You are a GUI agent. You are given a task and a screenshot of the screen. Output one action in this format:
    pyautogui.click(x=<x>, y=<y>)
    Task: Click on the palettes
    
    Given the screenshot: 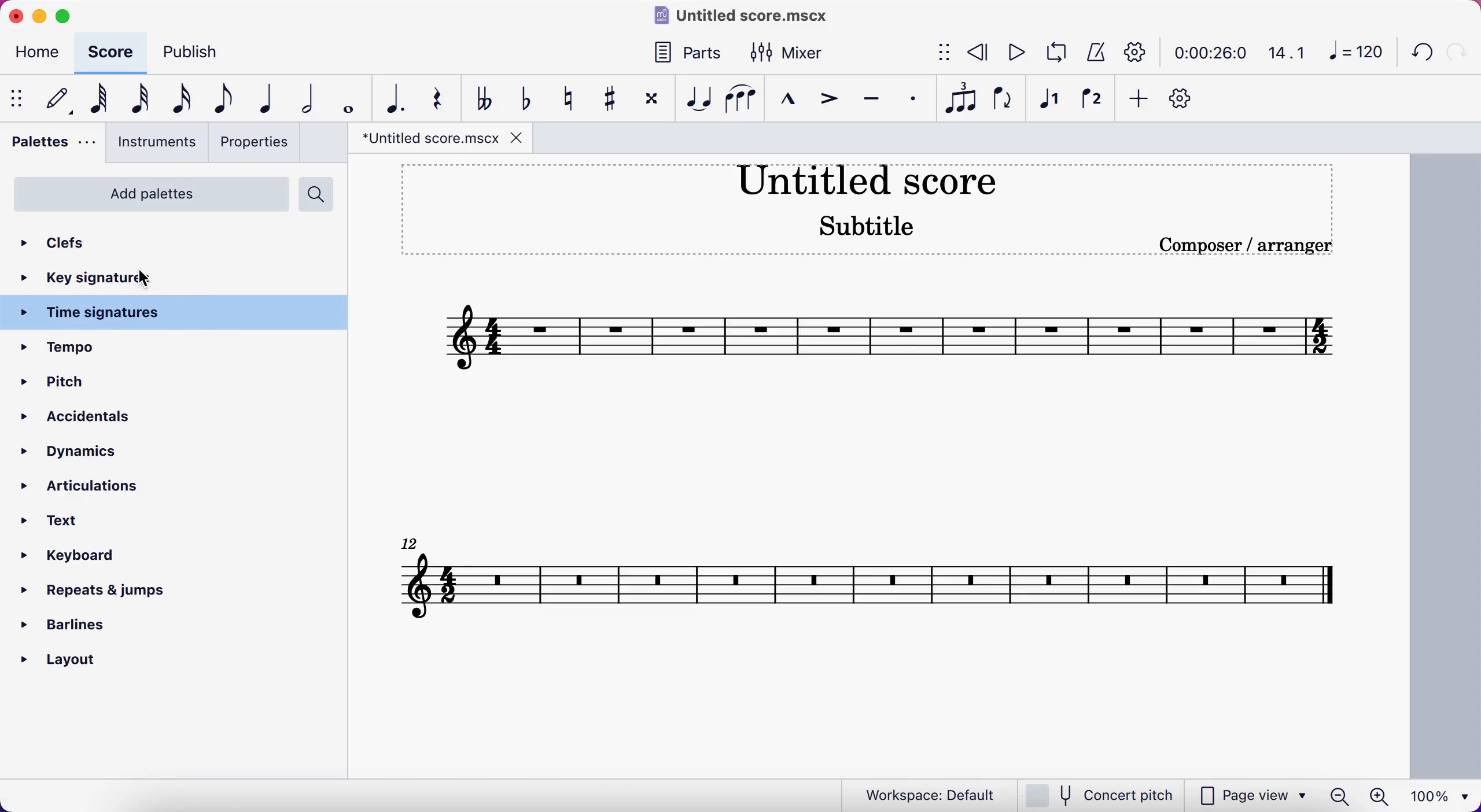 What is the action you would take?
    pyautogui.click(x=52, y=149)
    